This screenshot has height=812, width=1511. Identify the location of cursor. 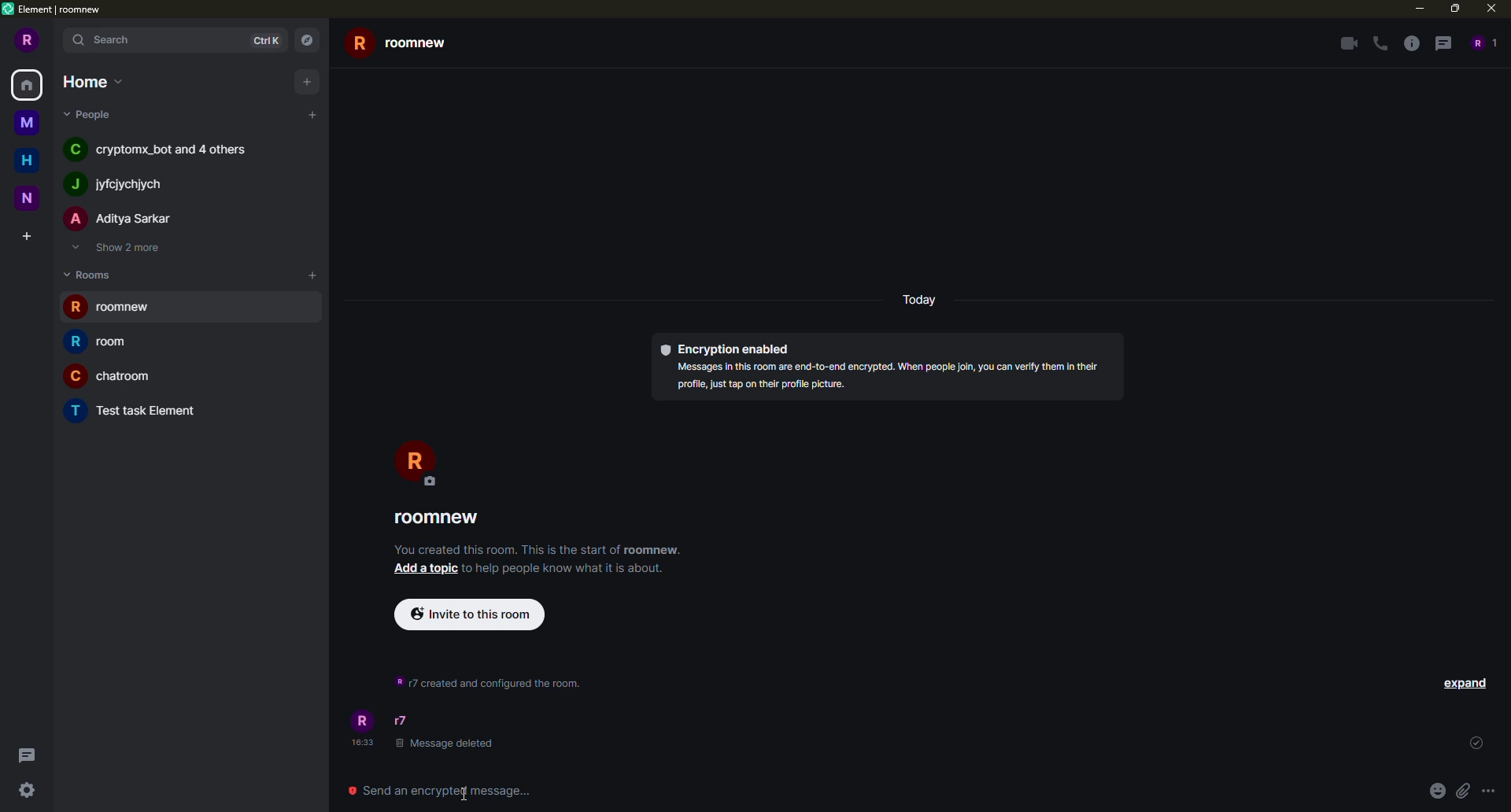
(463, 792).